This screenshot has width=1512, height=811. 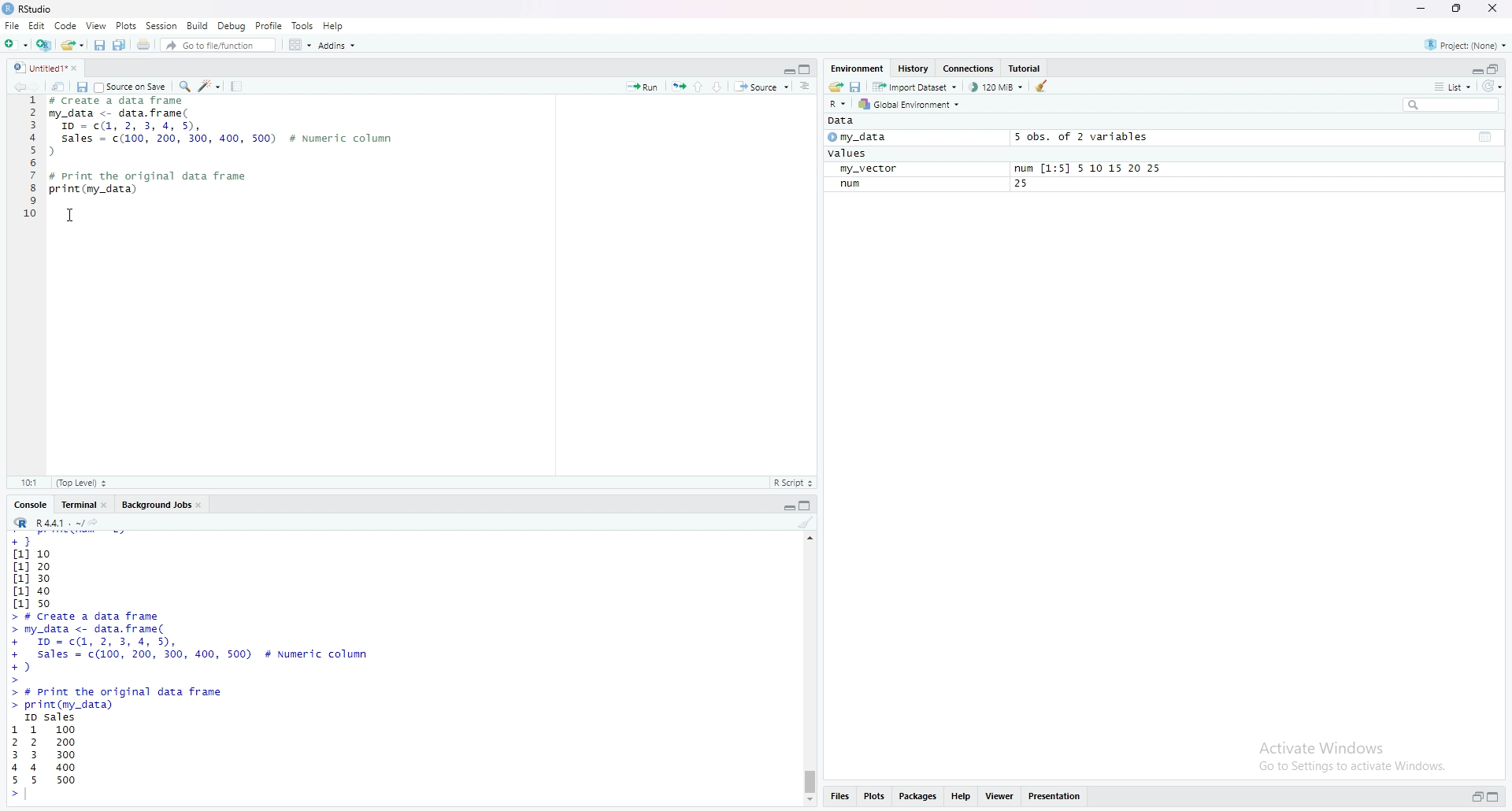 What do you see at coordinates (94, 27) in the screenshot?
I see `View` at bounding box center [94, 27].